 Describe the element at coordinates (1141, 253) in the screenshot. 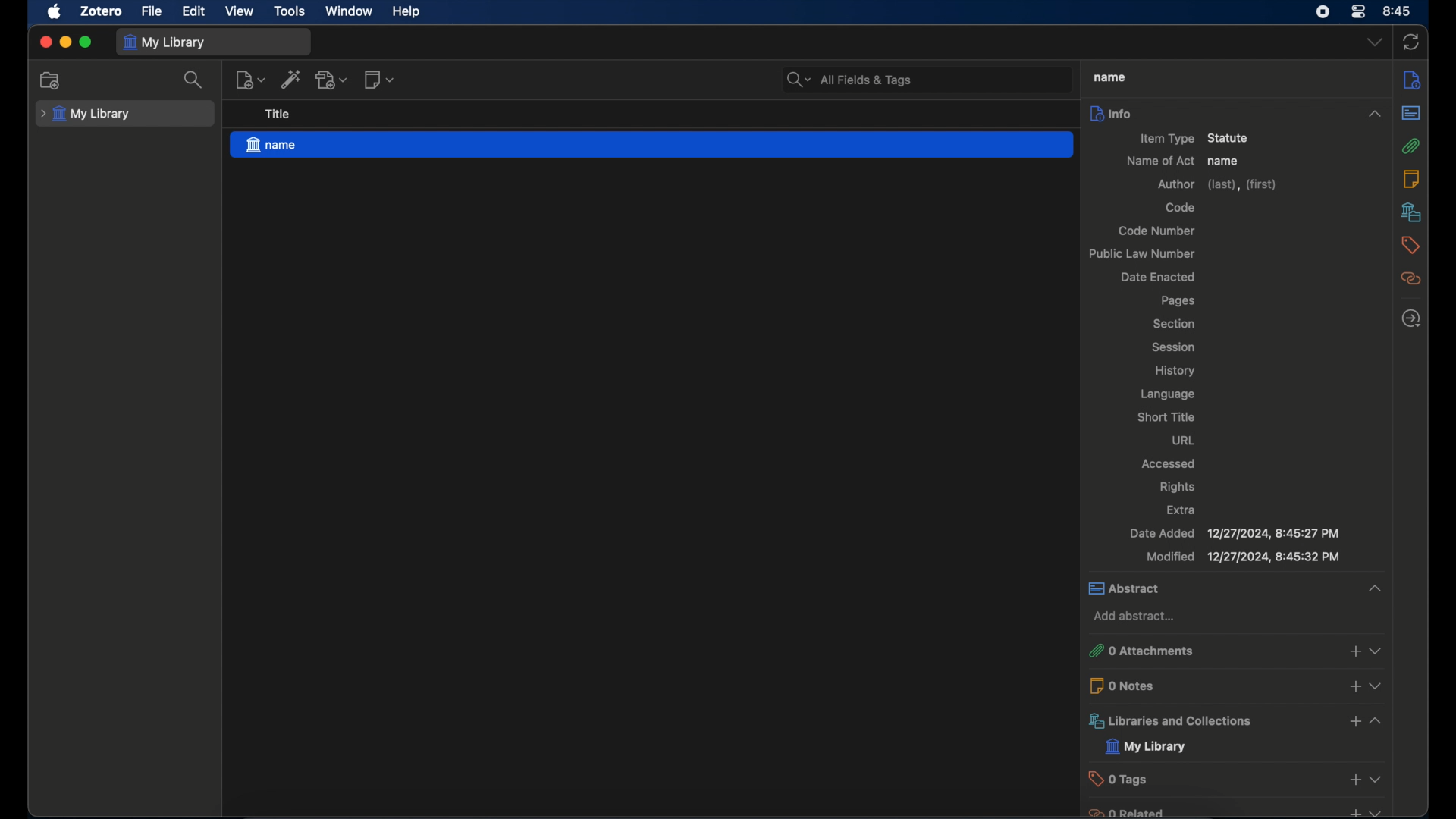

I see `public law number` at that location.